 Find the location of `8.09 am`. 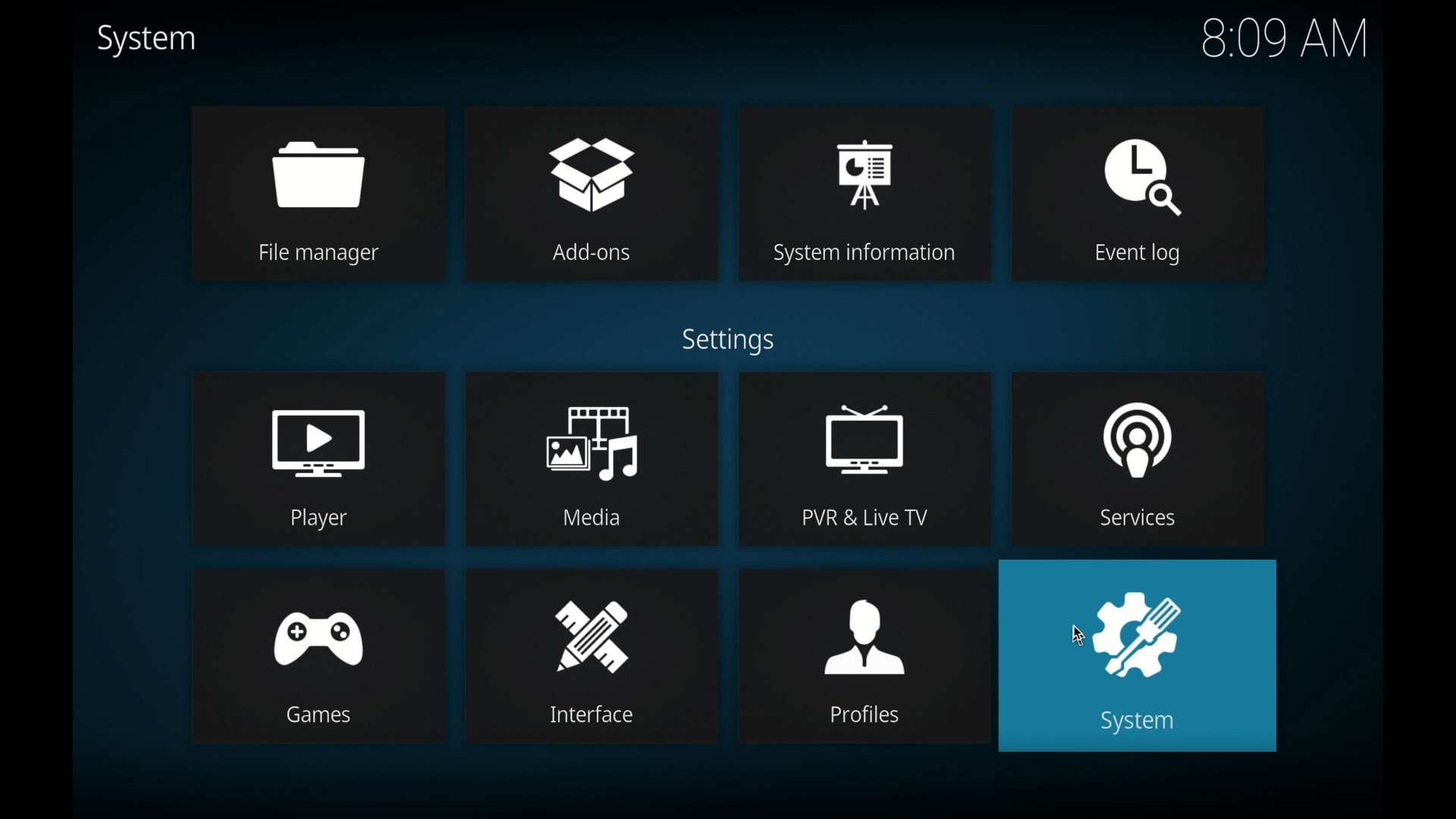

8.09 am is located at coordinates (1285, 38).